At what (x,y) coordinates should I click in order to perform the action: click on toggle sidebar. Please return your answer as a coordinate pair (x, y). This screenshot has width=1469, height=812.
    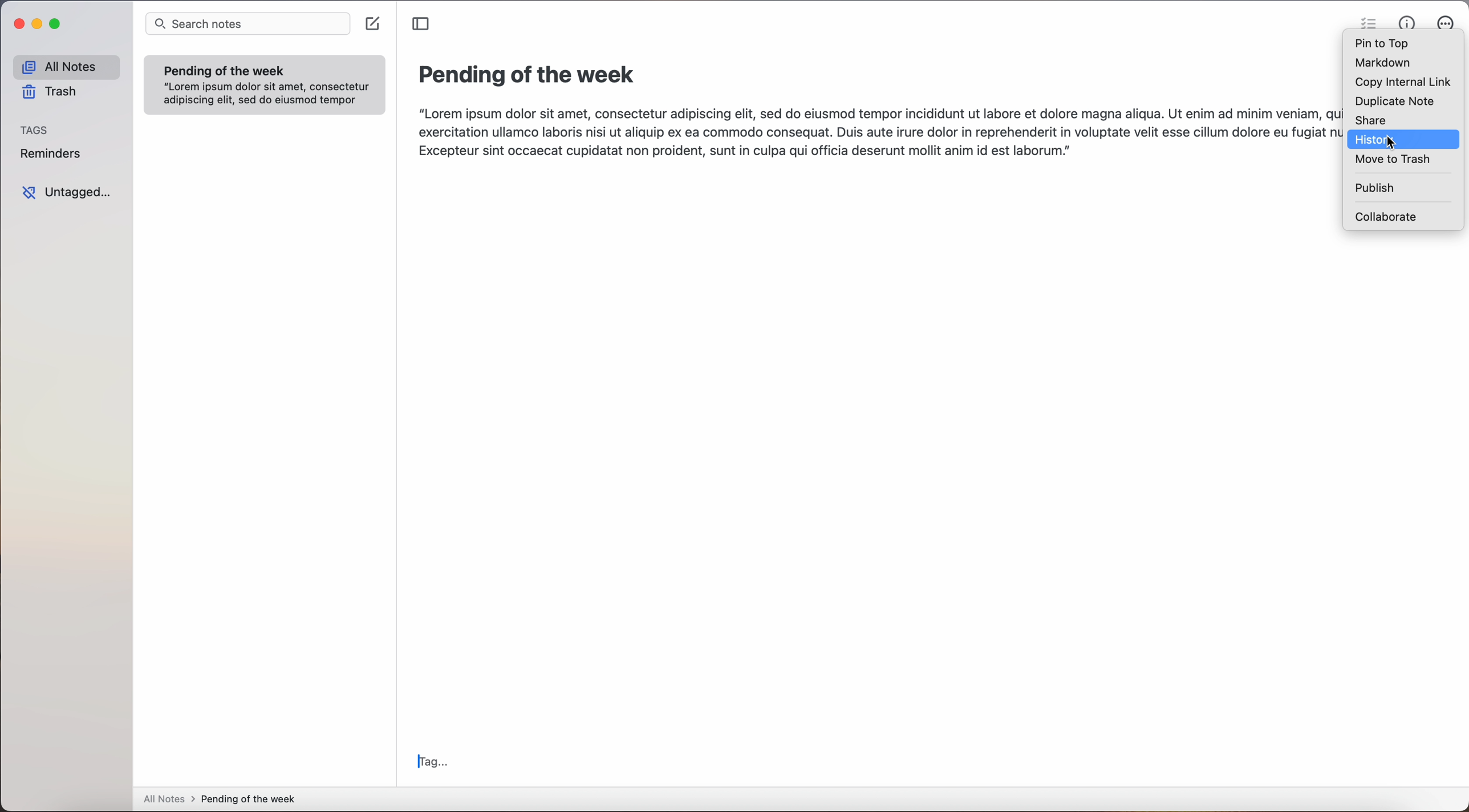
    Looking at the image, I should click on (423, 24).